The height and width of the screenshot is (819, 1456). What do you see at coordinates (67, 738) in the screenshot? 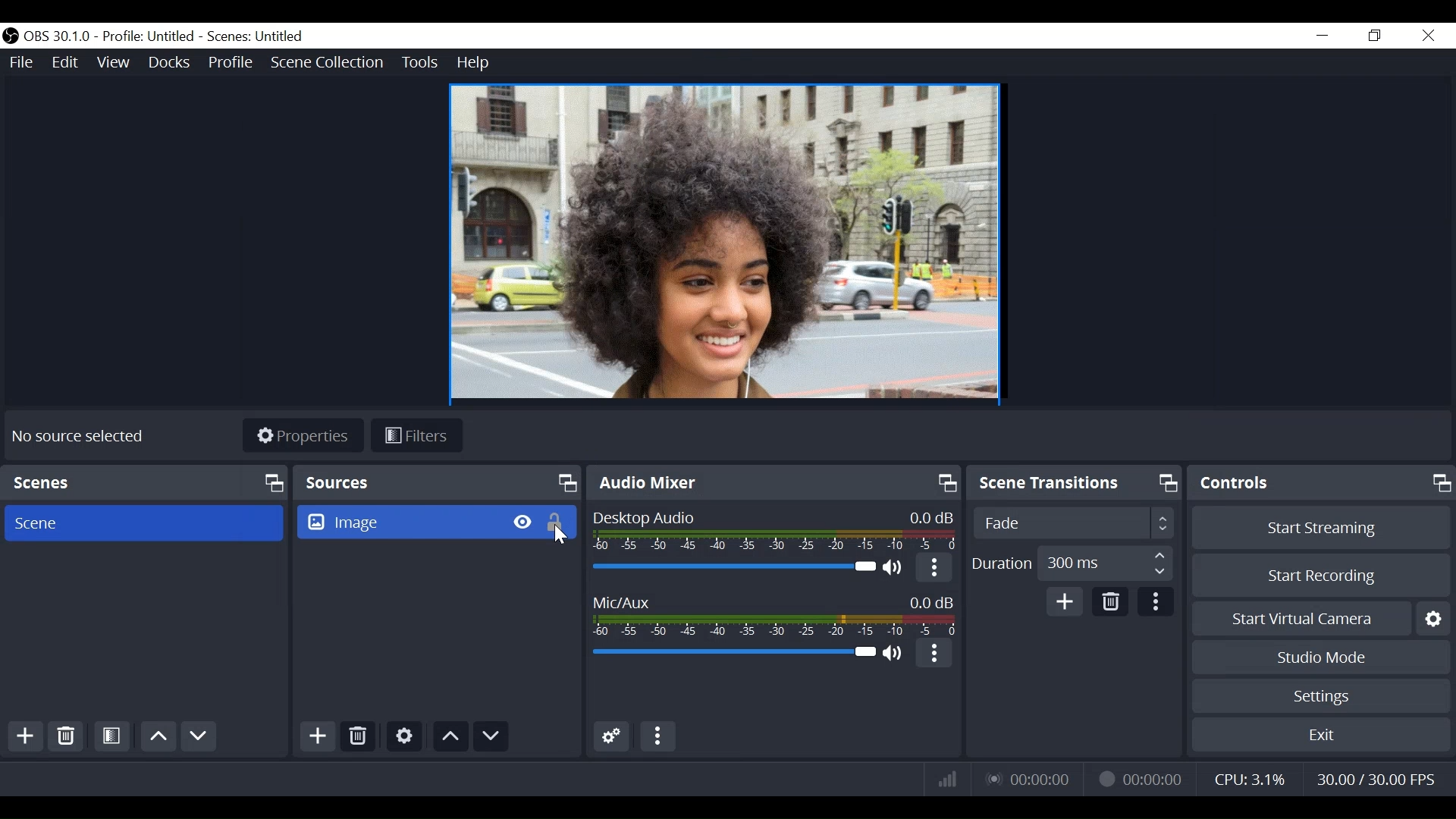
I see `Delete` at bounding box center [67, 738].